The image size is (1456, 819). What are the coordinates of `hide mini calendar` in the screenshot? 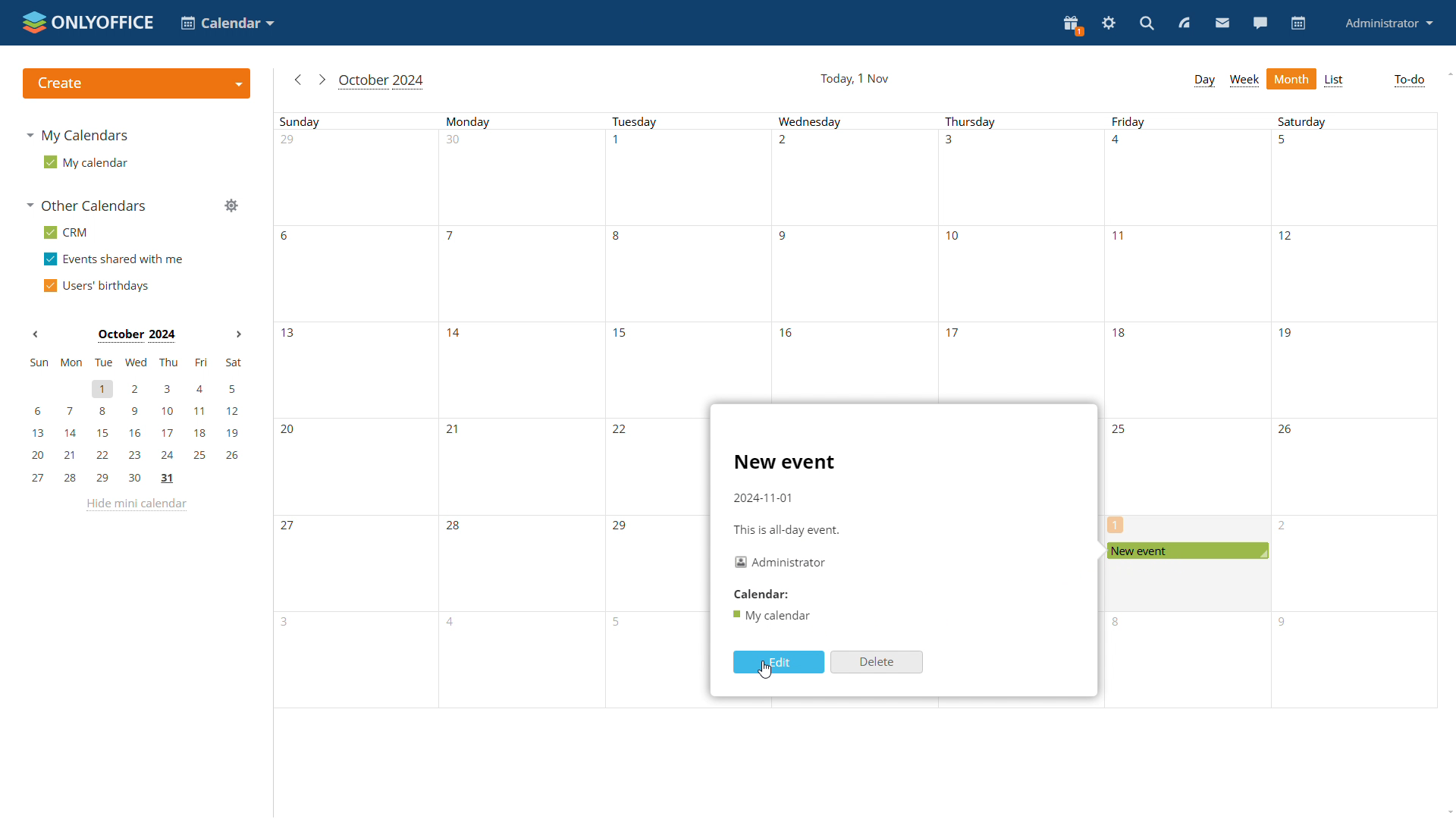 It's located at (139, 507).